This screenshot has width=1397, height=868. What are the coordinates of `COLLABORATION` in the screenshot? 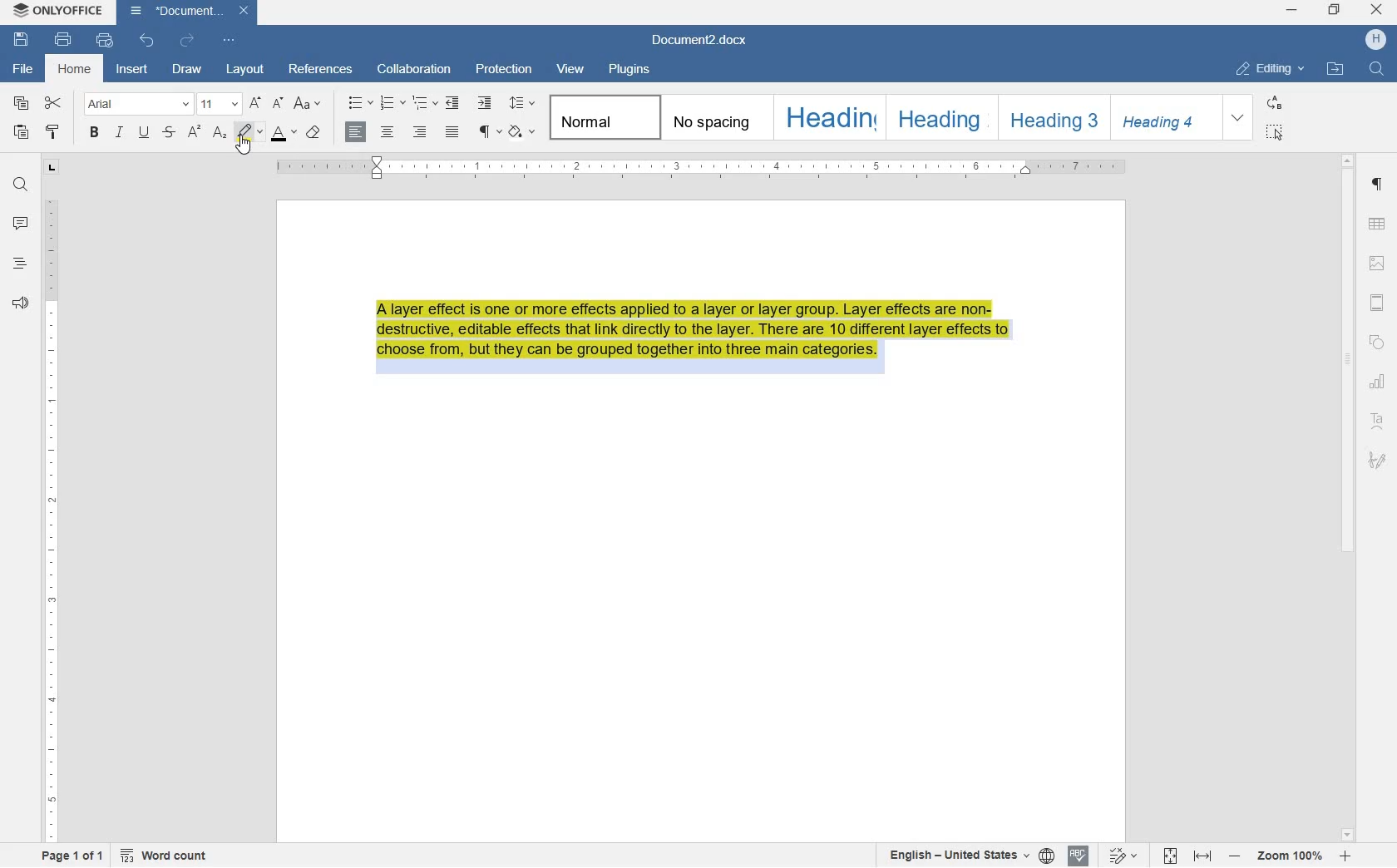 It's located at (413, 69).